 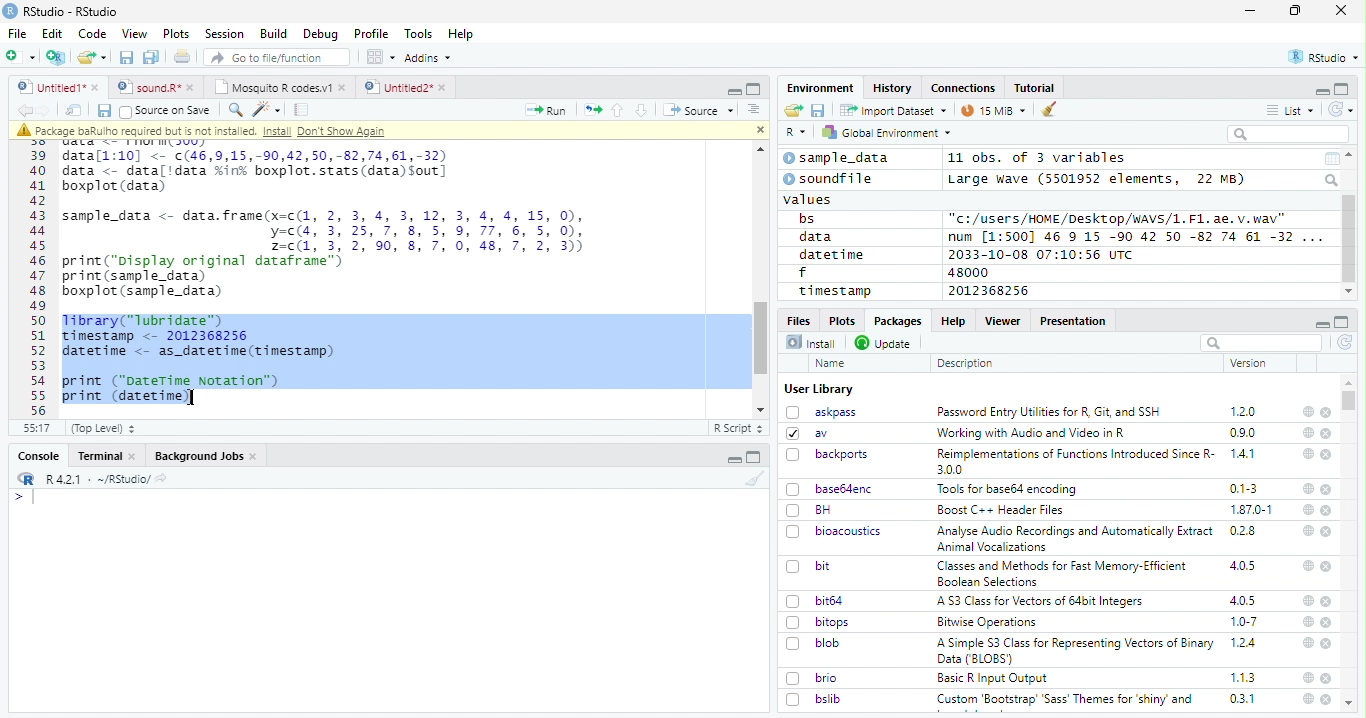 What do you see at coordinates (811, 342) in the screenshot?
I see `Install` at bounding box center [811, 342].